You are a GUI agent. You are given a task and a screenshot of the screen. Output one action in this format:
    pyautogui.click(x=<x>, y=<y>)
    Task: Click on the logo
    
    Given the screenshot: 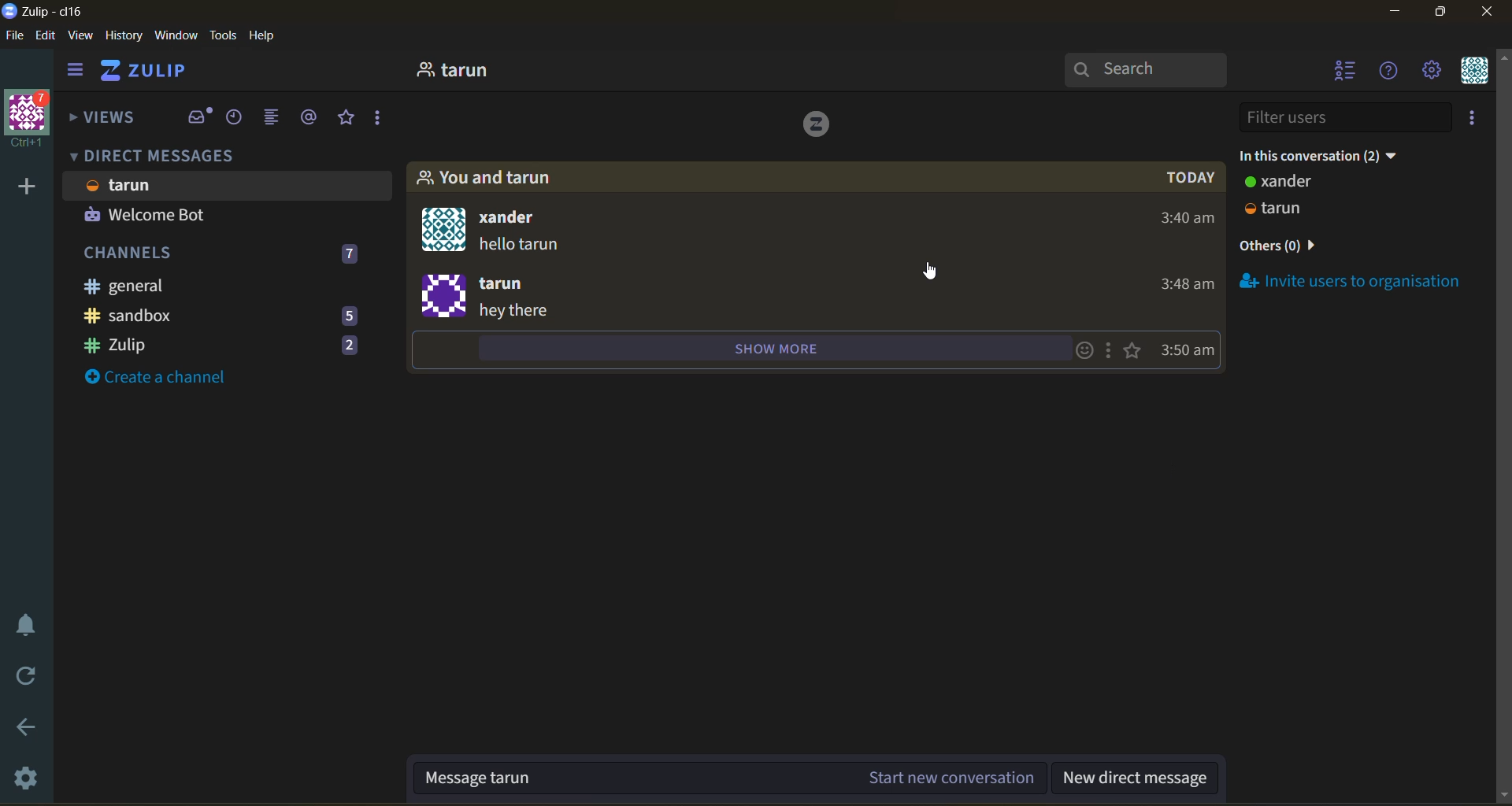 What is the action you would take?
    pyautogui.click(x=817, y=126)
    